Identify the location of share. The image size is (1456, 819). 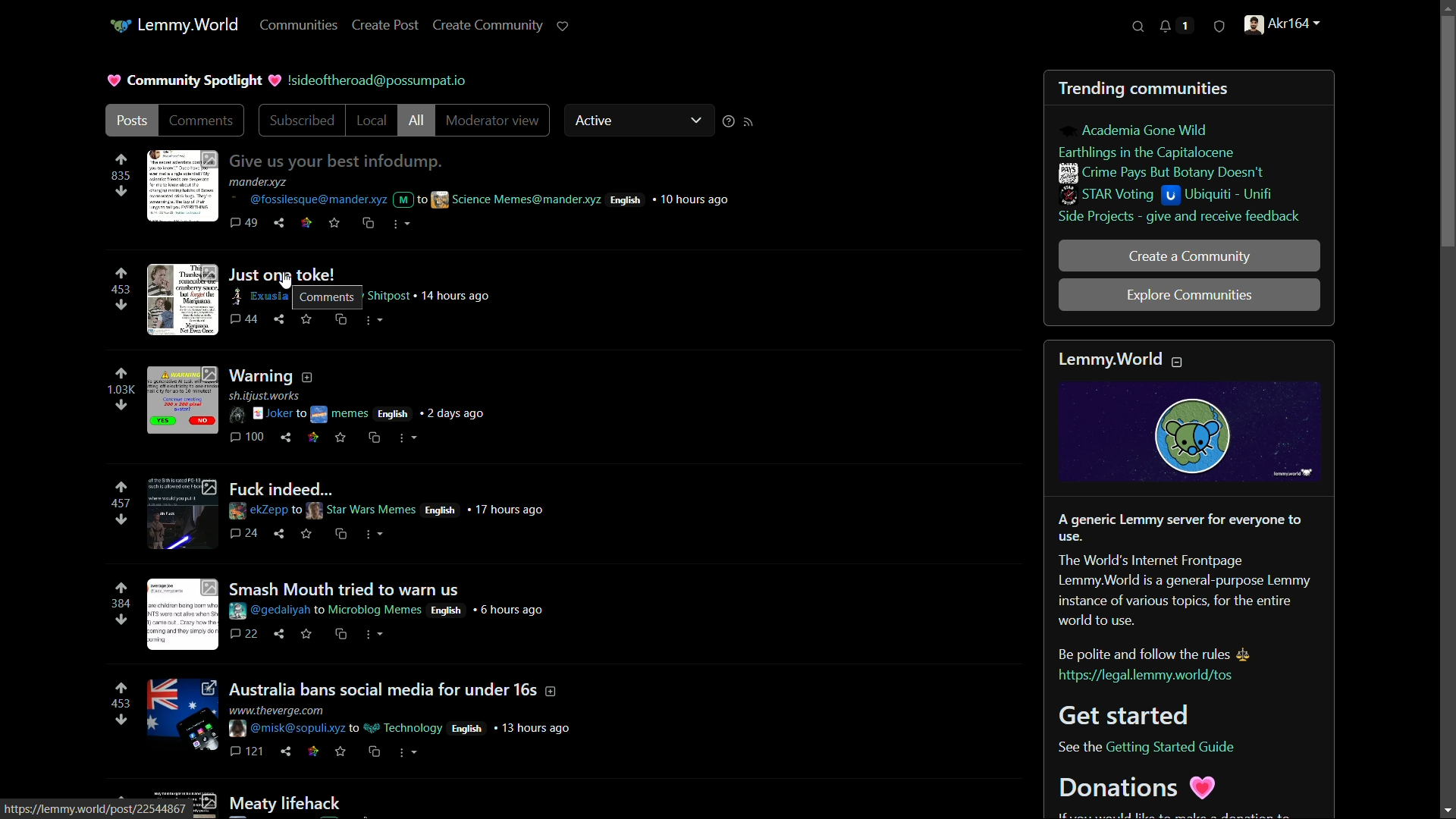
(280, 222).